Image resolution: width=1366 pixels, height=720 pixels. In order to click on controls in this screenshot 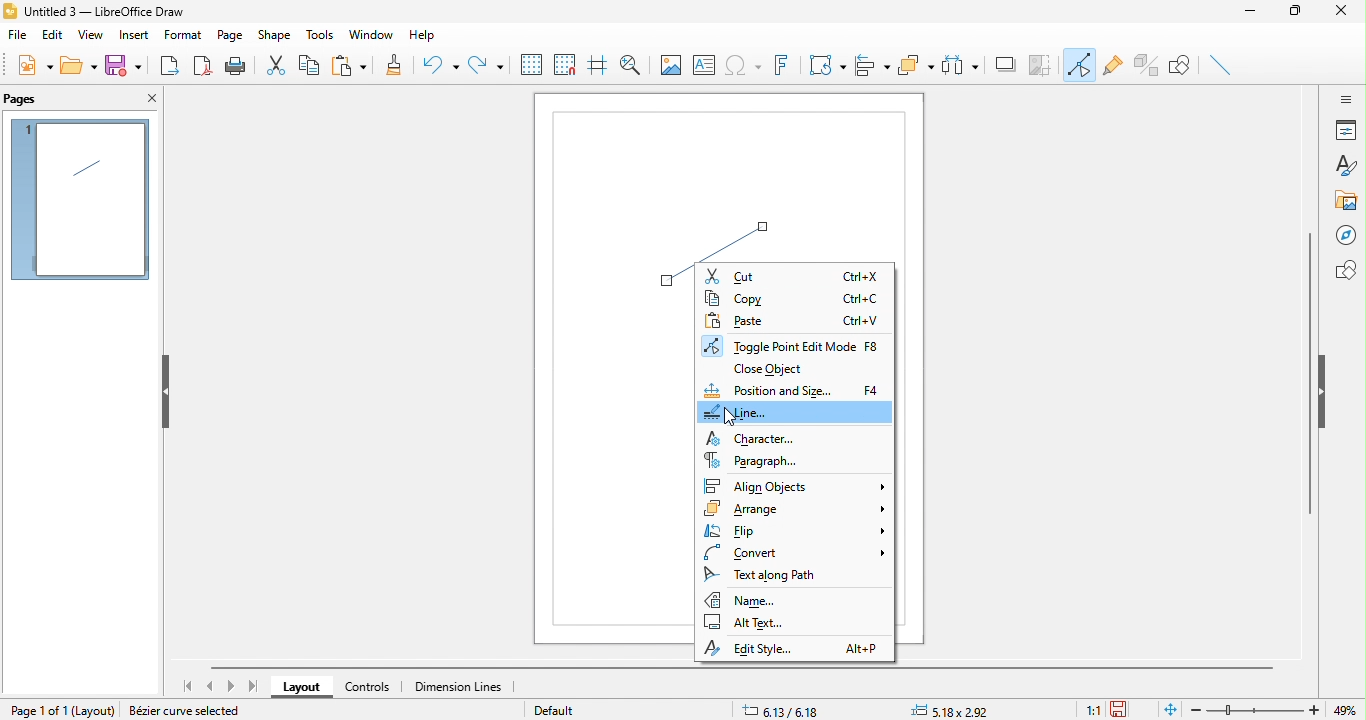, I will do `click(368, 689)`.